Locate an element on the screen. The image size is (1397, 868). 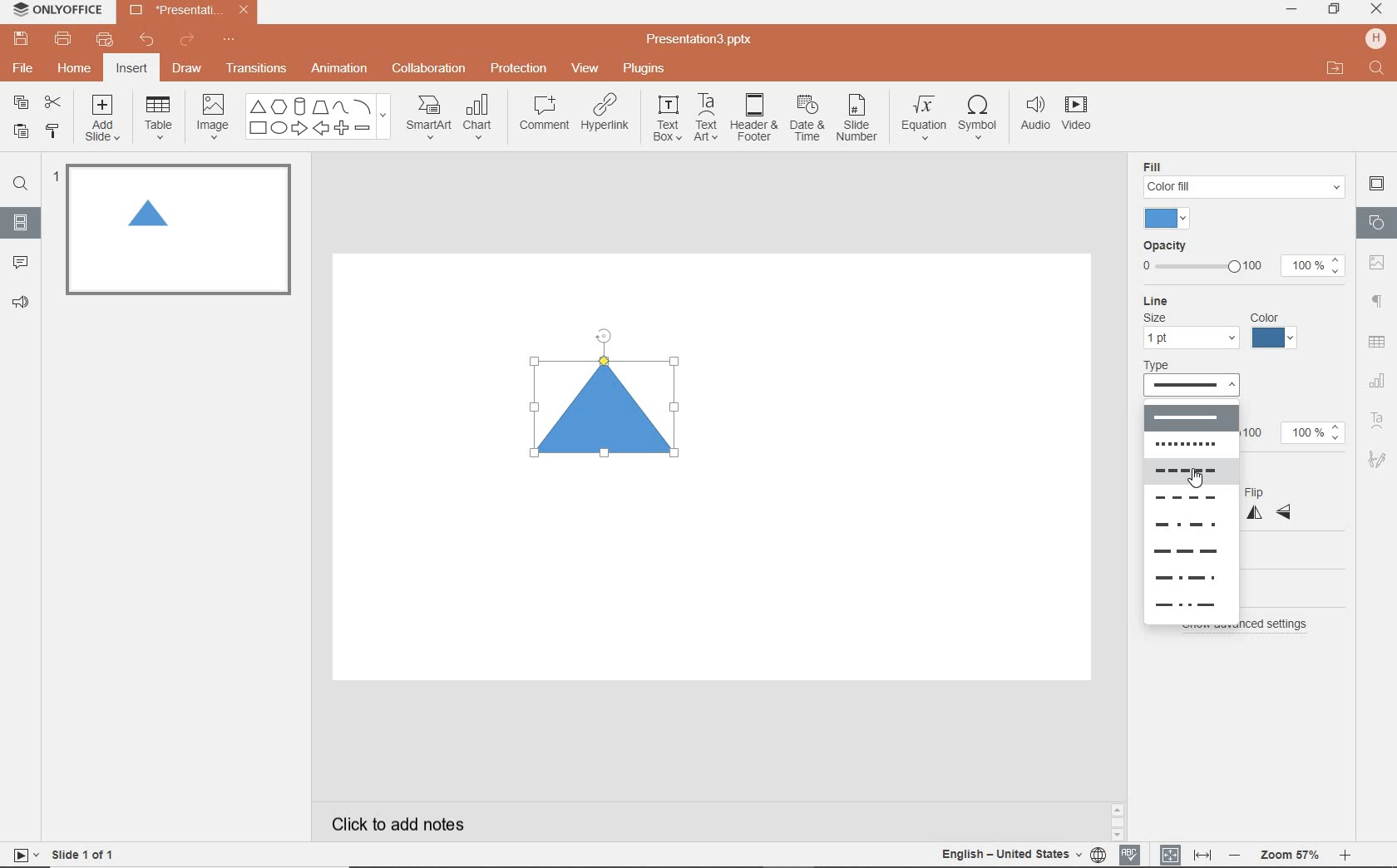
PROTECTION is located at coordinates (520, 67).